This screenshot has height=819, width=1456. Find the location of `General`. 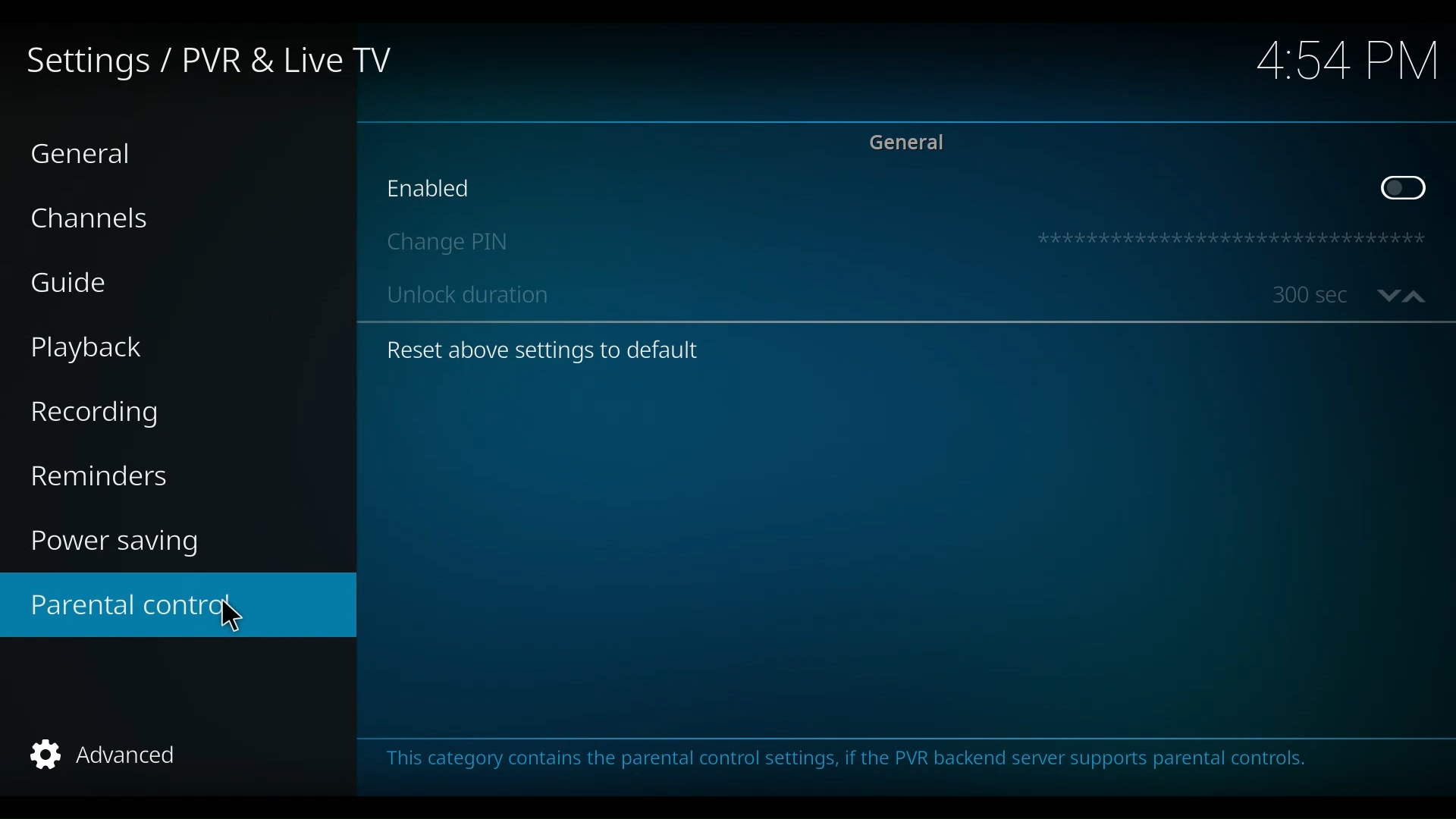

General is located at coordinates (86, 154).